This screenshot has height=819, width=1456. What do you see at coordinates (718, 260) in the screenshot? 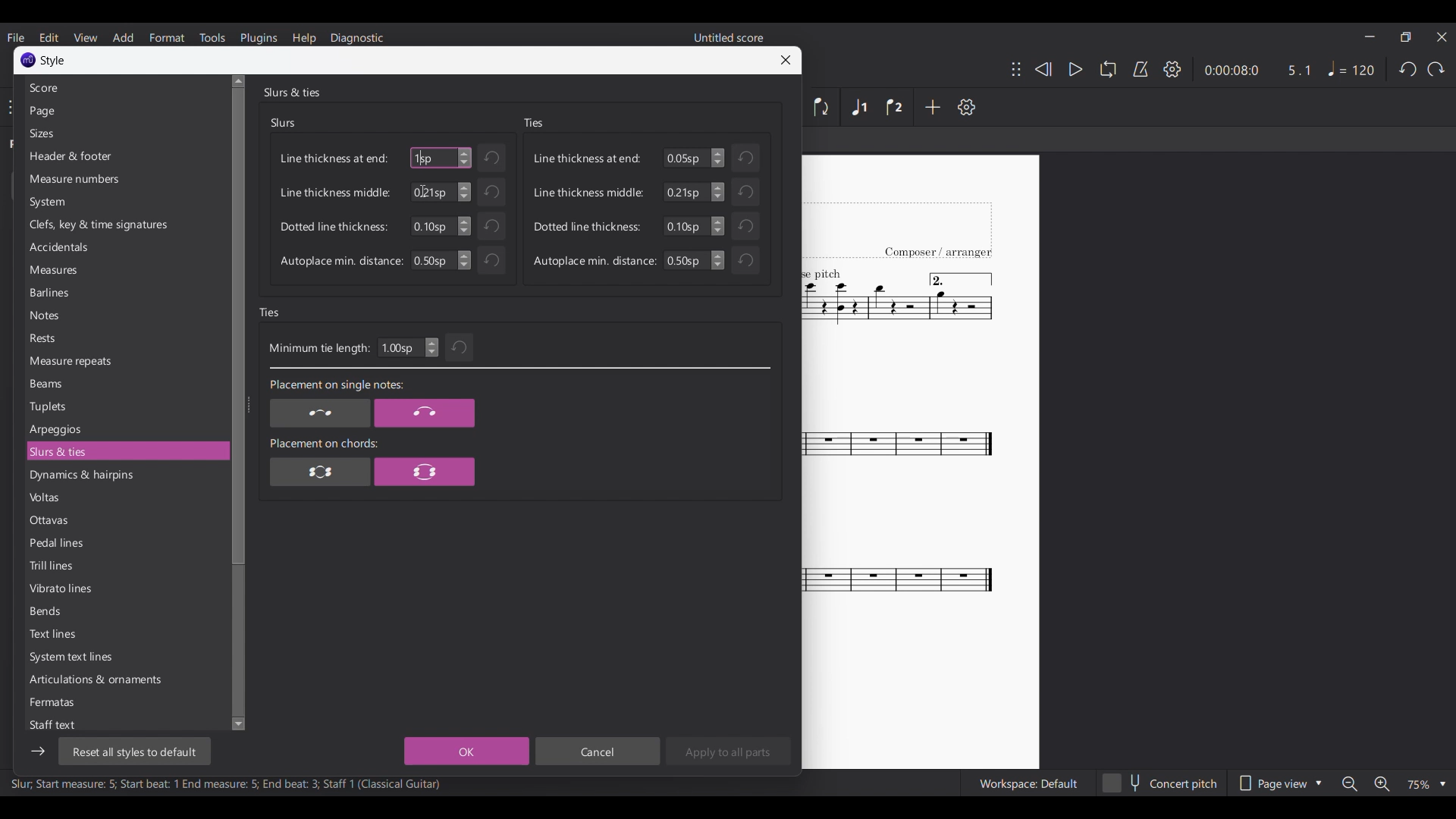
I see `Change autoplace min. distance` at bounding box center [718, 260].